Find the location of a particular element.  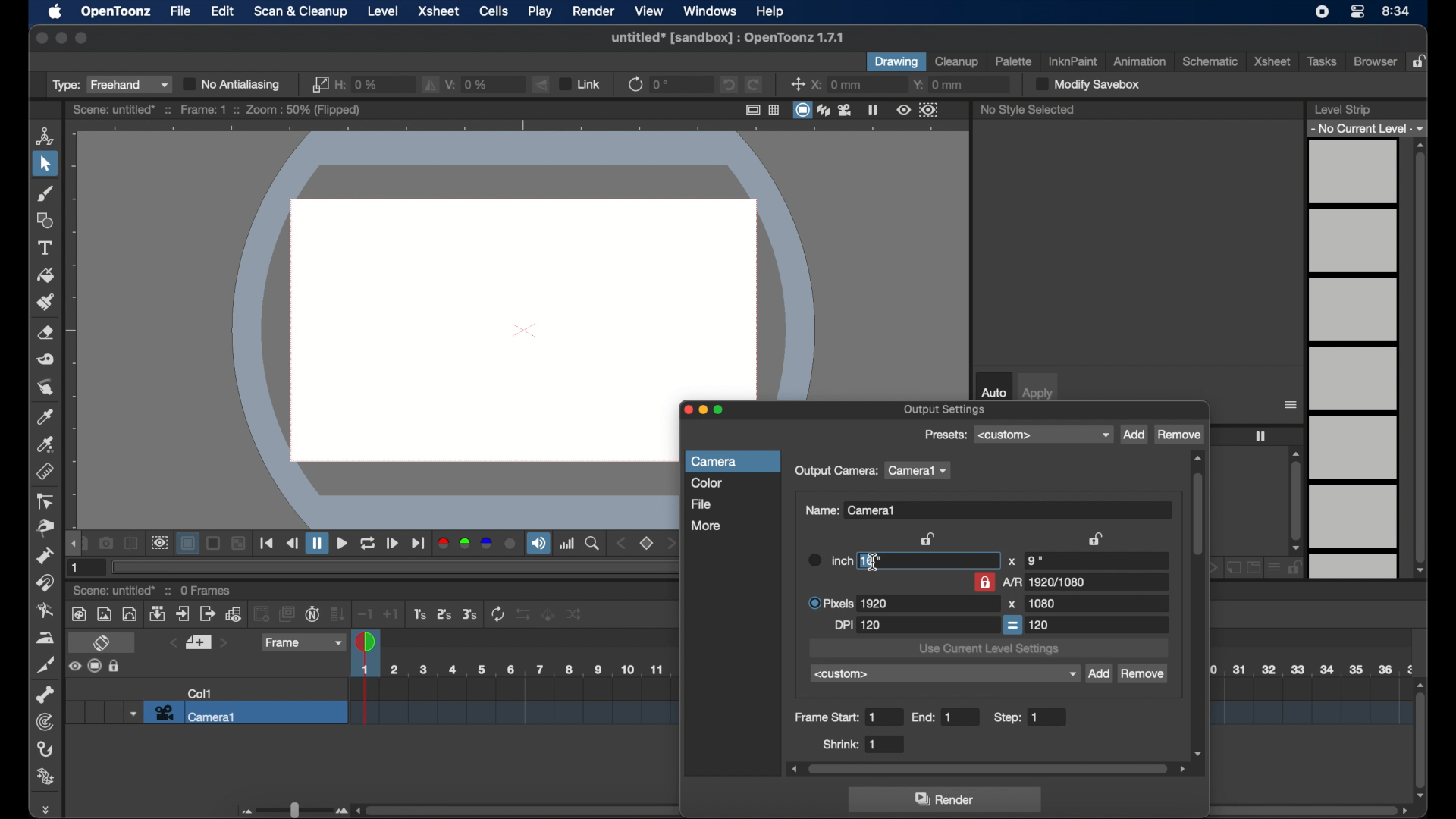

 is located at coordinates (365, 613).